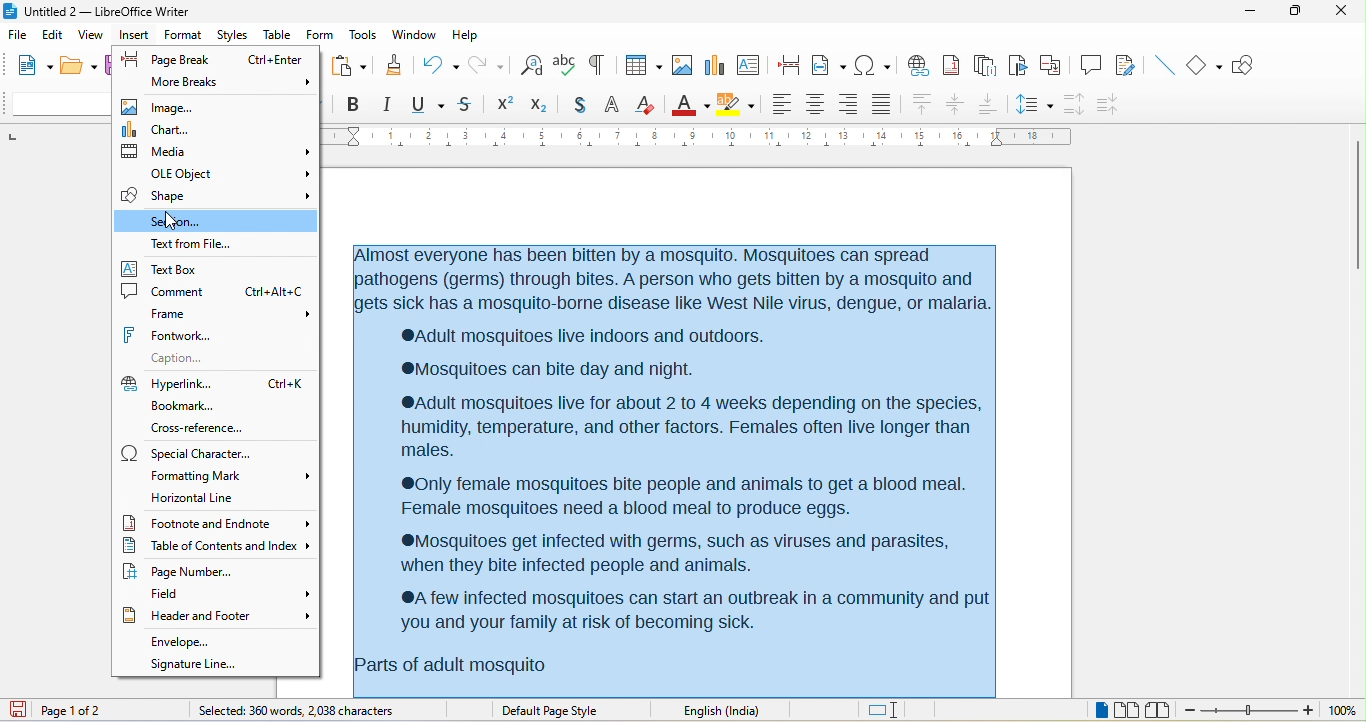 The image size is (1366, 722). I want to click on formatting mark, so click(218, 475).